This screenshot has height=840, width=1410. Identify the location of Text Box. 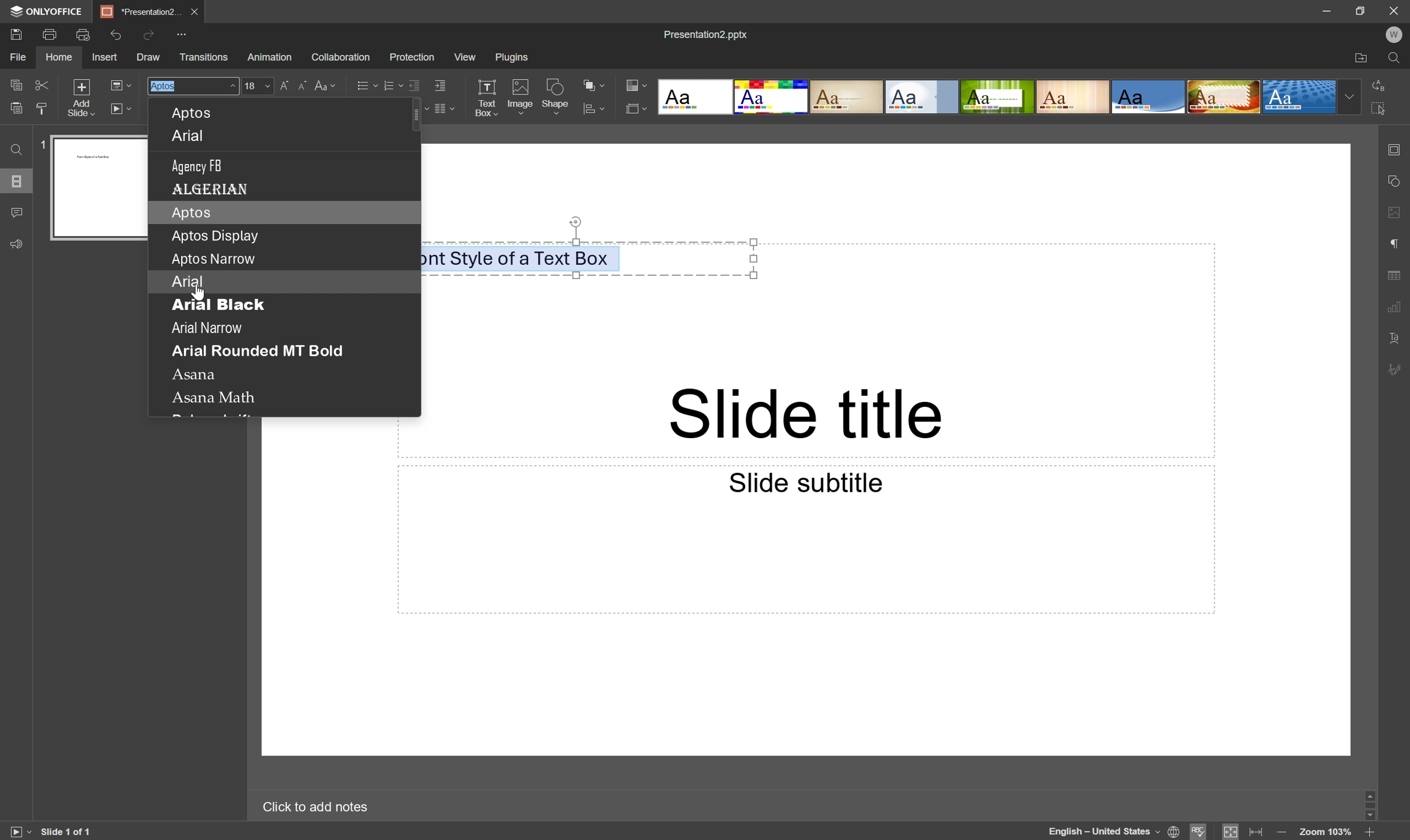
(486, 97).